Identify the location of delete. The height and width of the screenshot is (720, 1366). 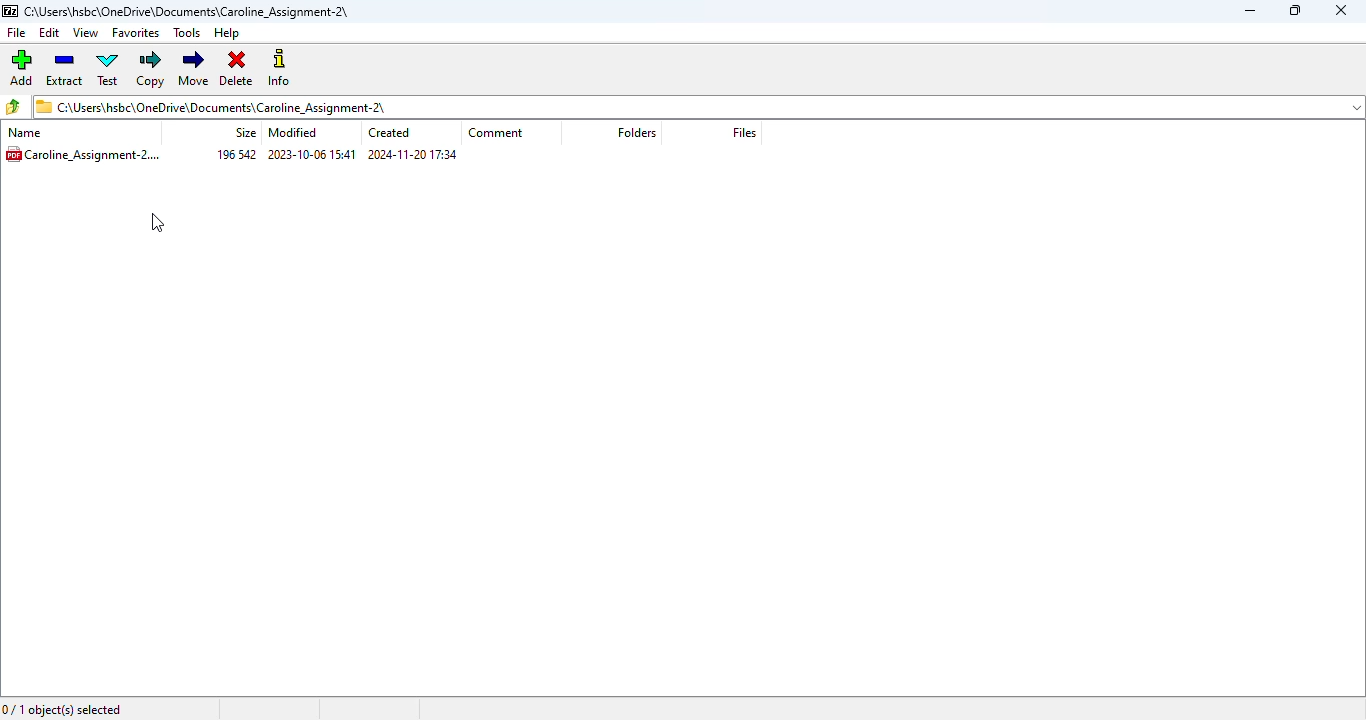
(236, 68).